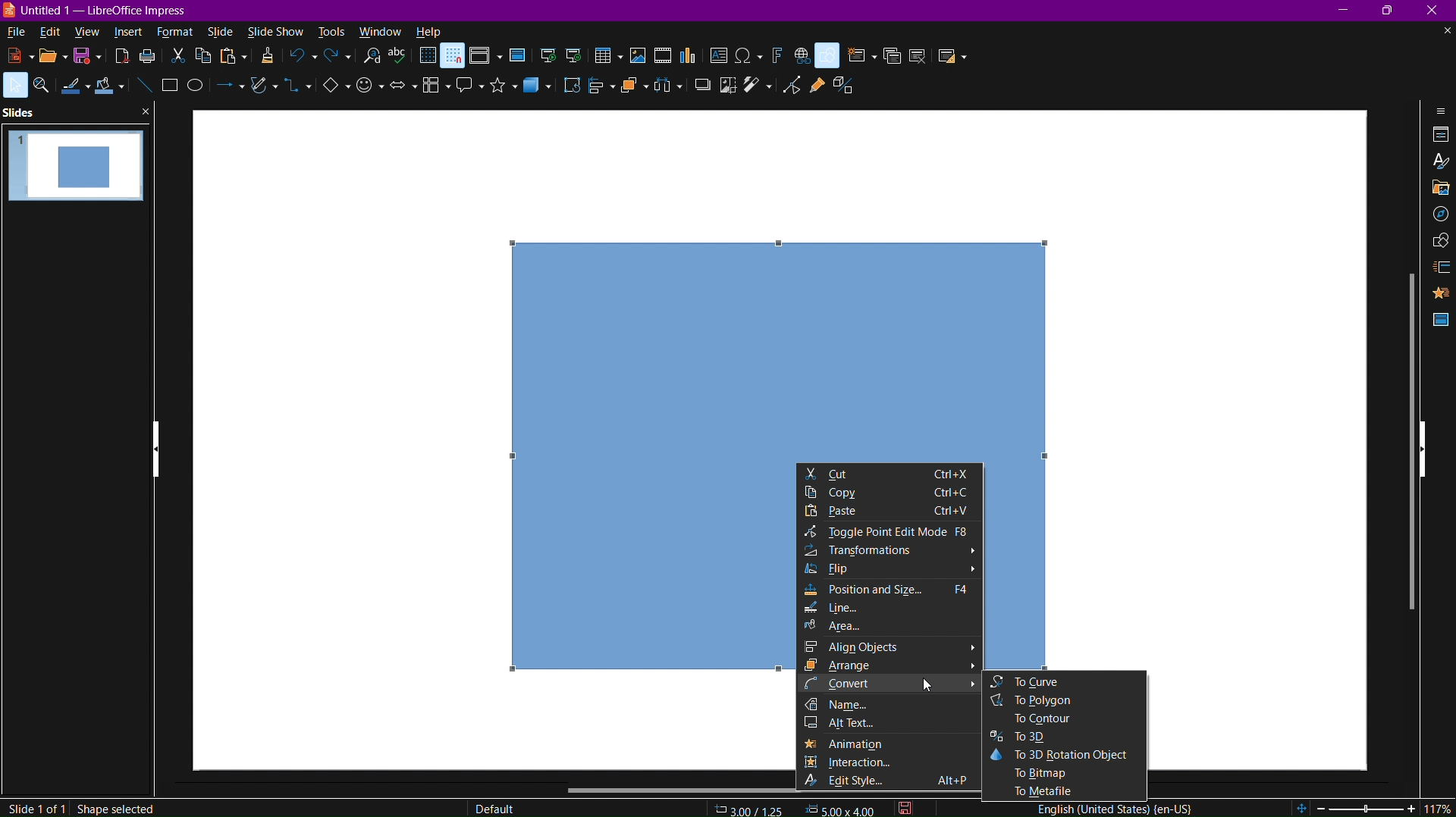 This screenshot has width=1456, height=817. I want to click on Sidebar Settings, so click(1436, 111).